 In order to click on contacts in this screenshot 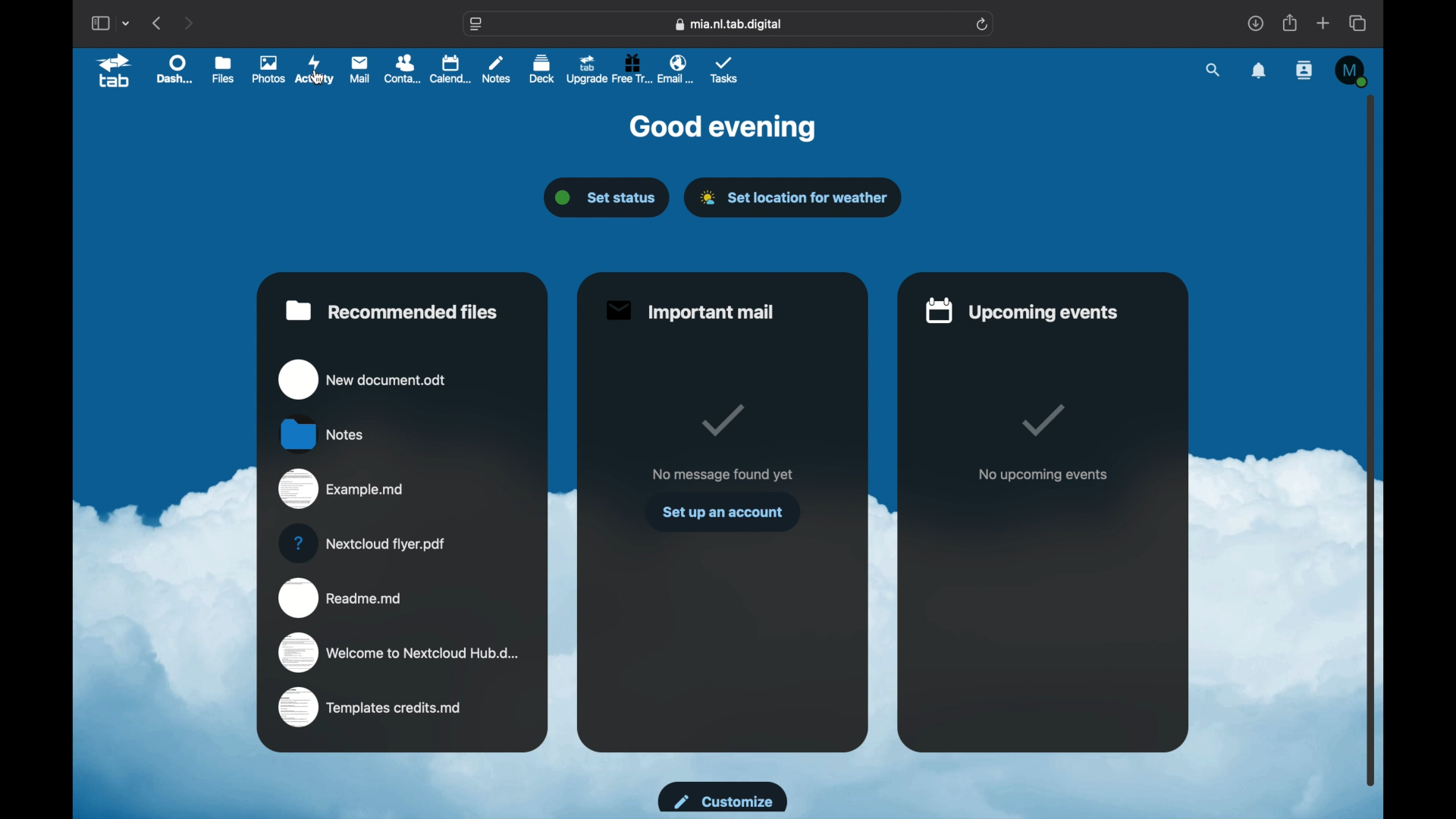, I will do `click(404, 69)`.